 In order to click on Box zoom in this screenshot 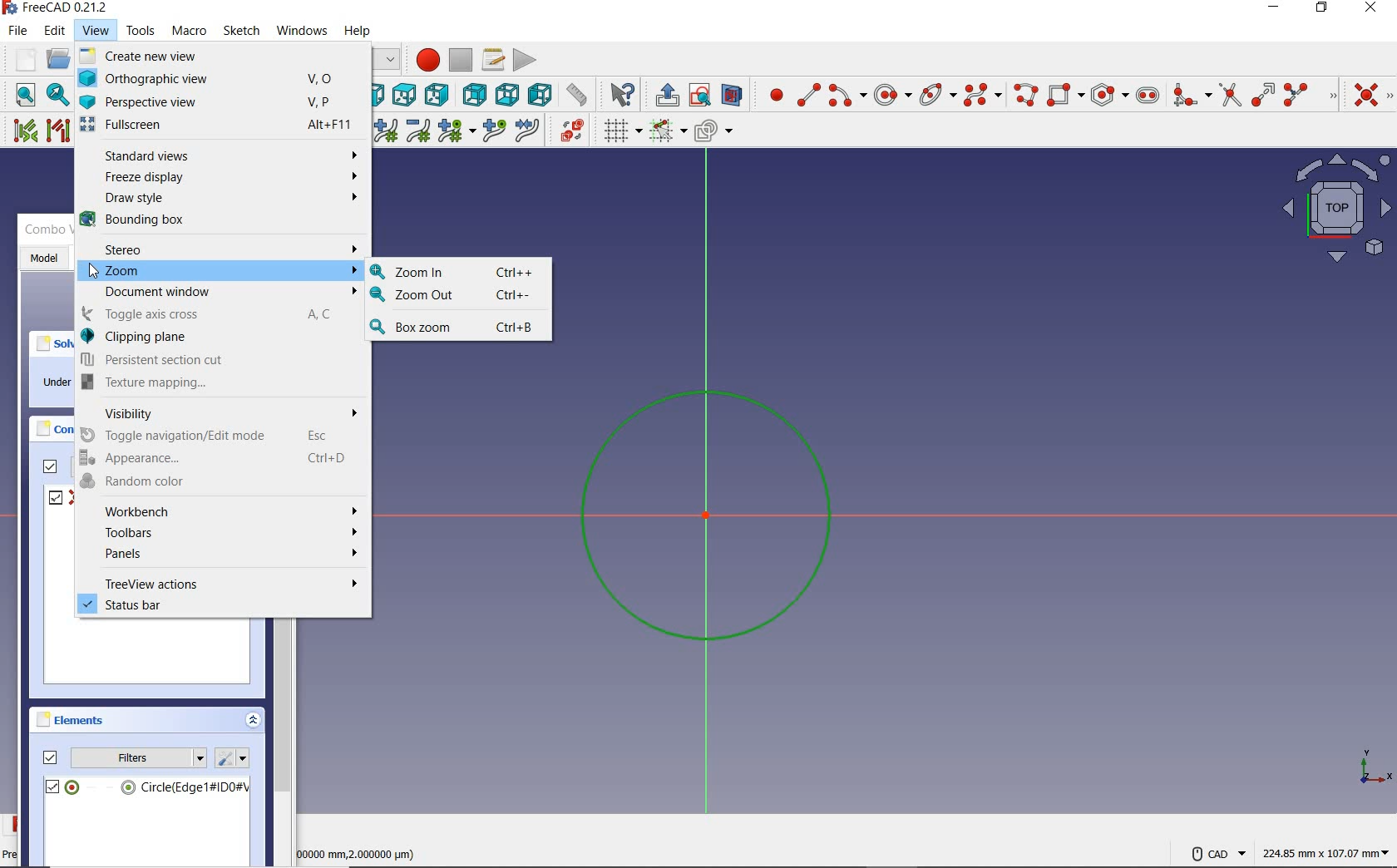, I will do `click(456, 324)`.